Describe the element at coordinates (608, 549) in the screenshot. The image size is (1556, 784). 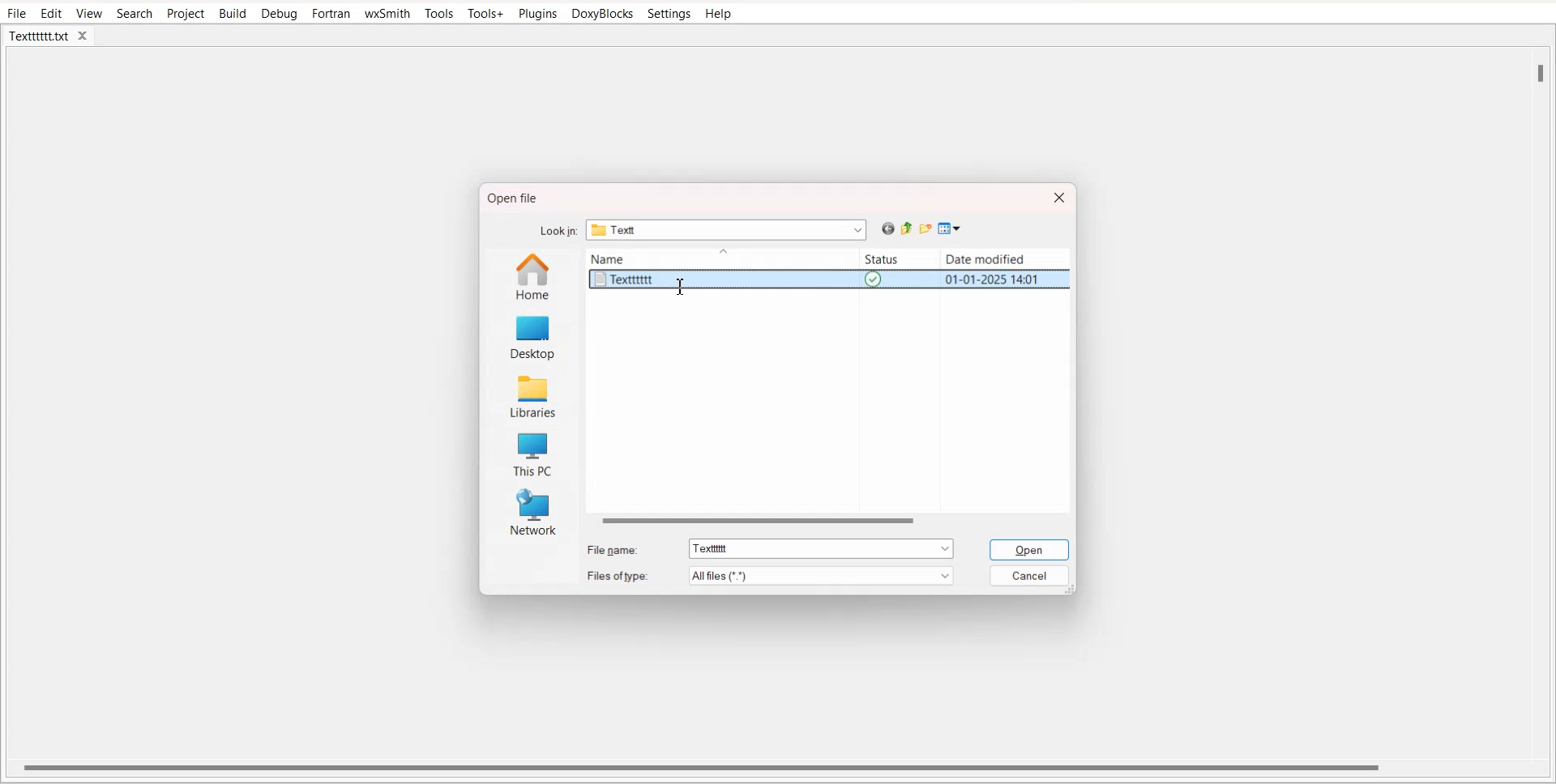
I see `File name` at that location.